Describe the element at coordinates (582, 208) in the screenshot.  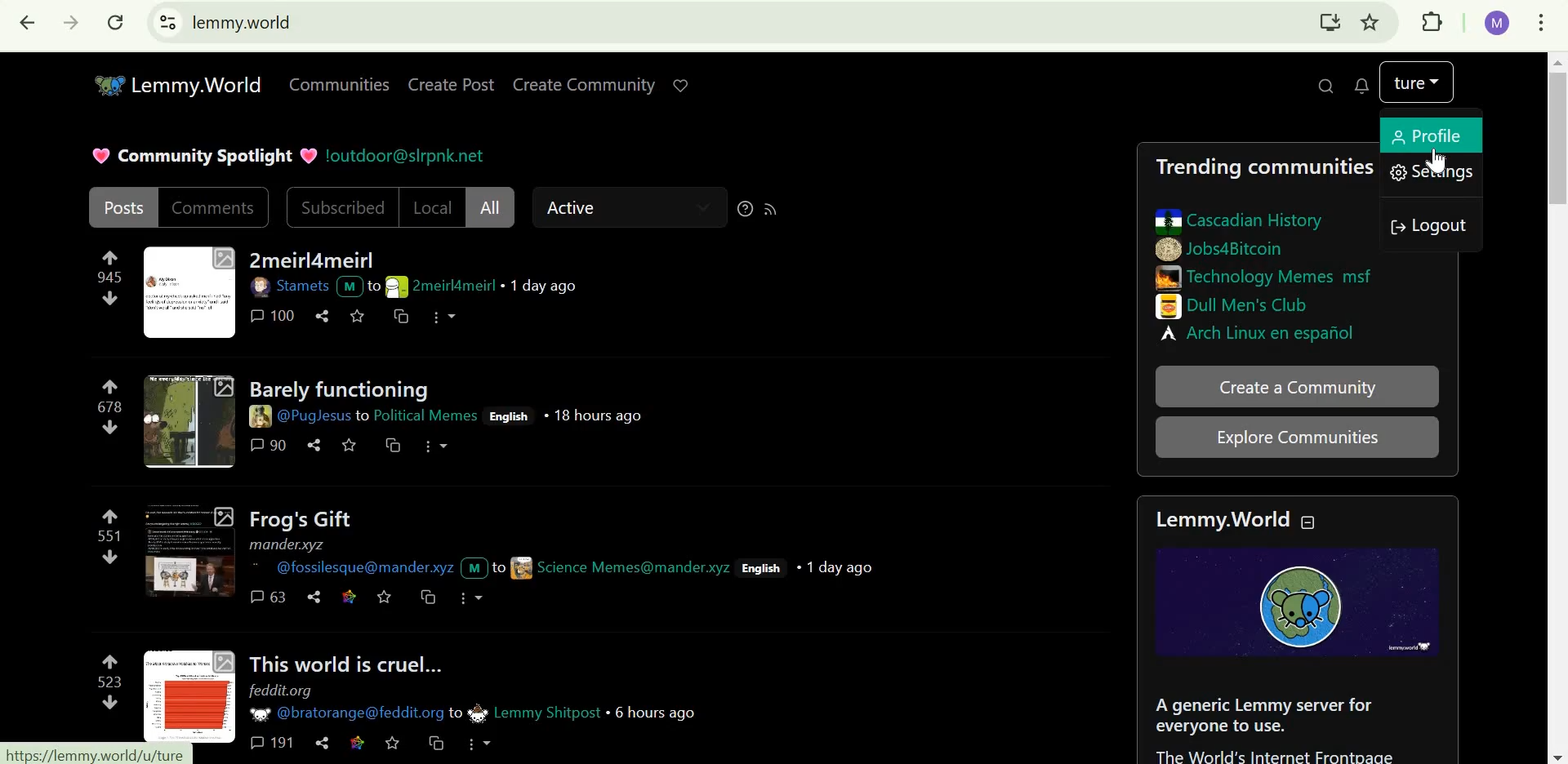
I see `Active` at that location.